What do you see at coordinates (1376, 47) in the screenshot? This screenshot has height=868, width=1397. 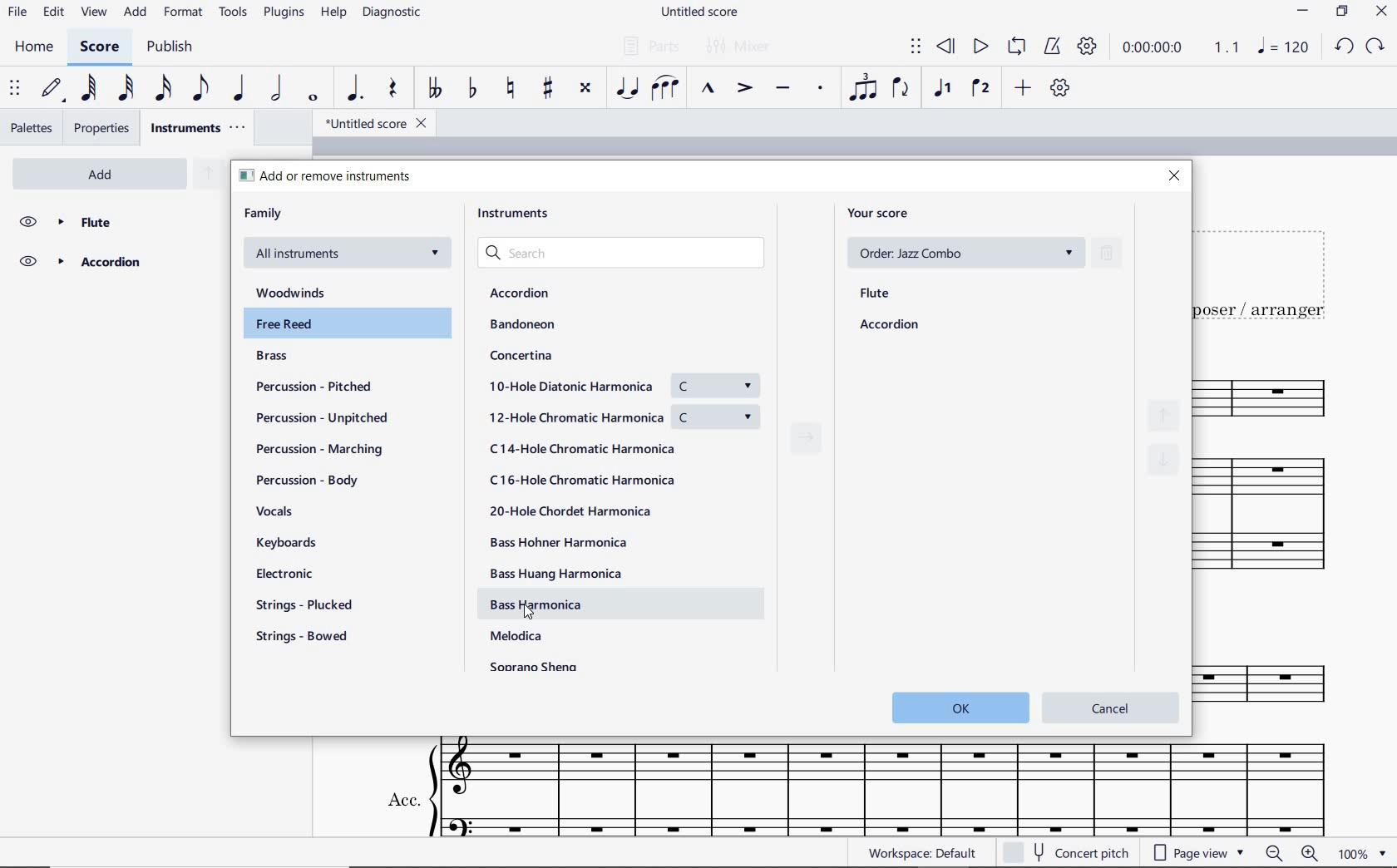 I see `REDO` at bounding box center [1376, 47].